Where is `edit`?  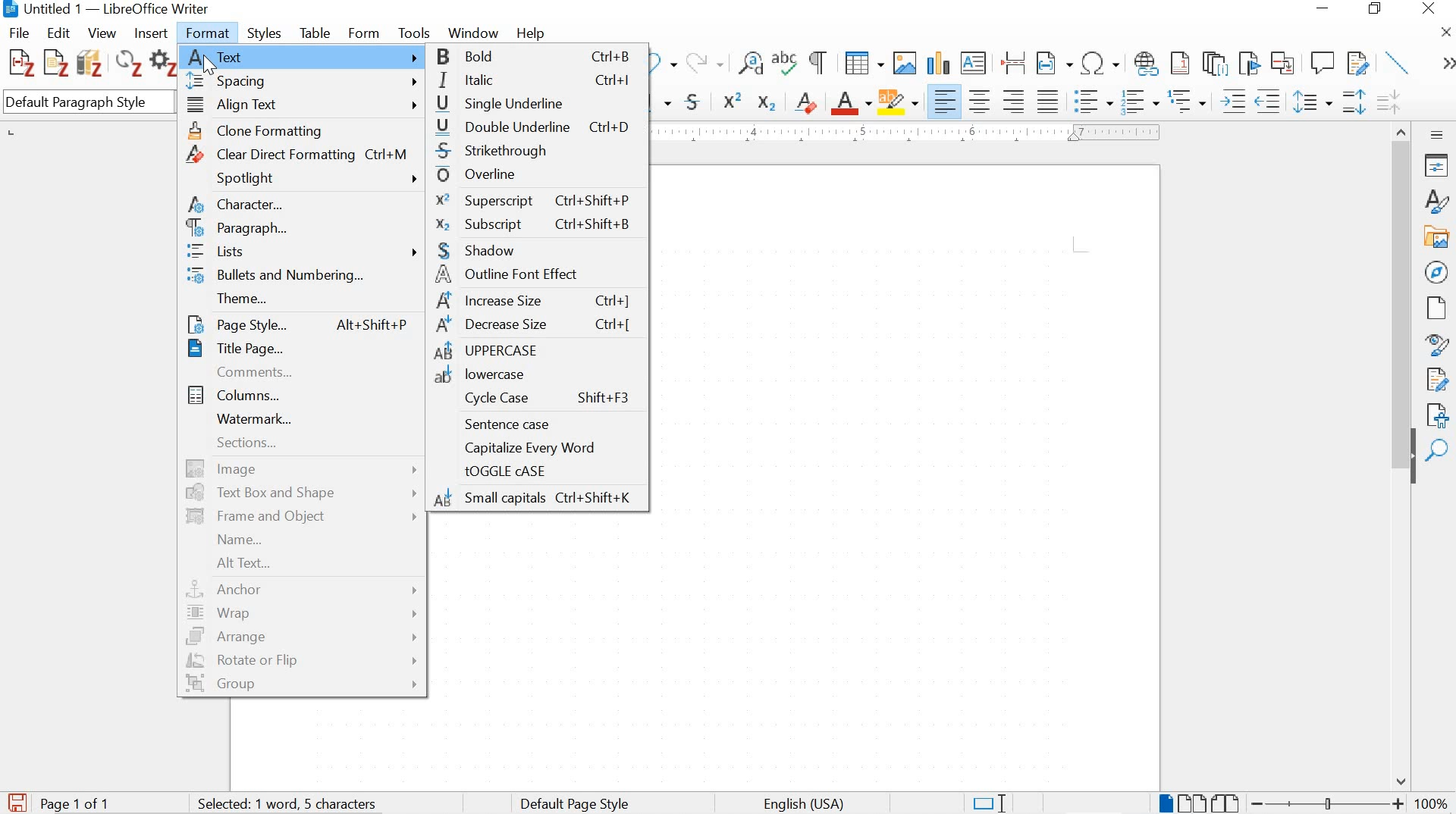 edit is located at coordinates (59, 32).